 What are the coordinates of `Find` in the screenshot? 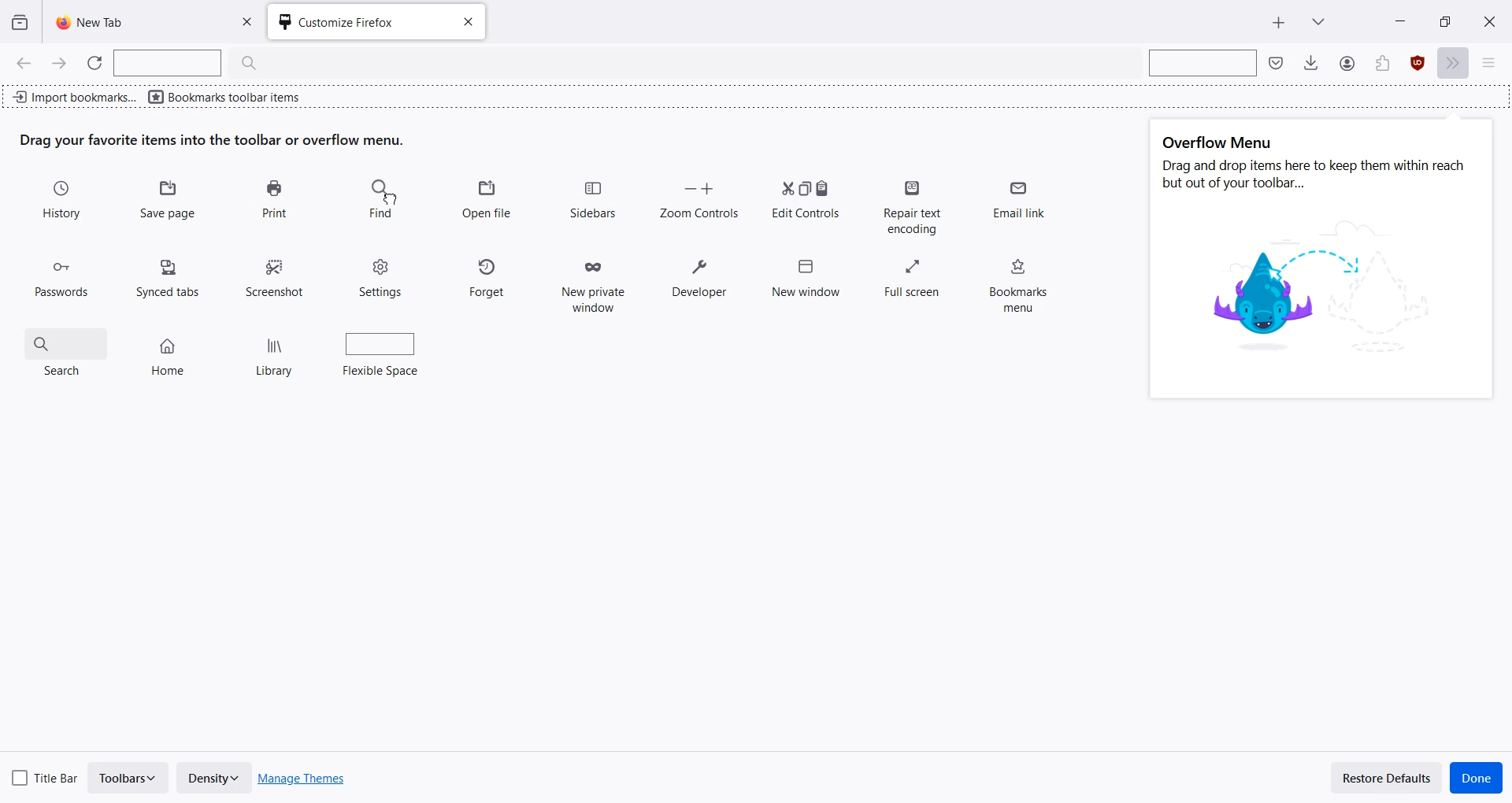 It's located at (380, 200).